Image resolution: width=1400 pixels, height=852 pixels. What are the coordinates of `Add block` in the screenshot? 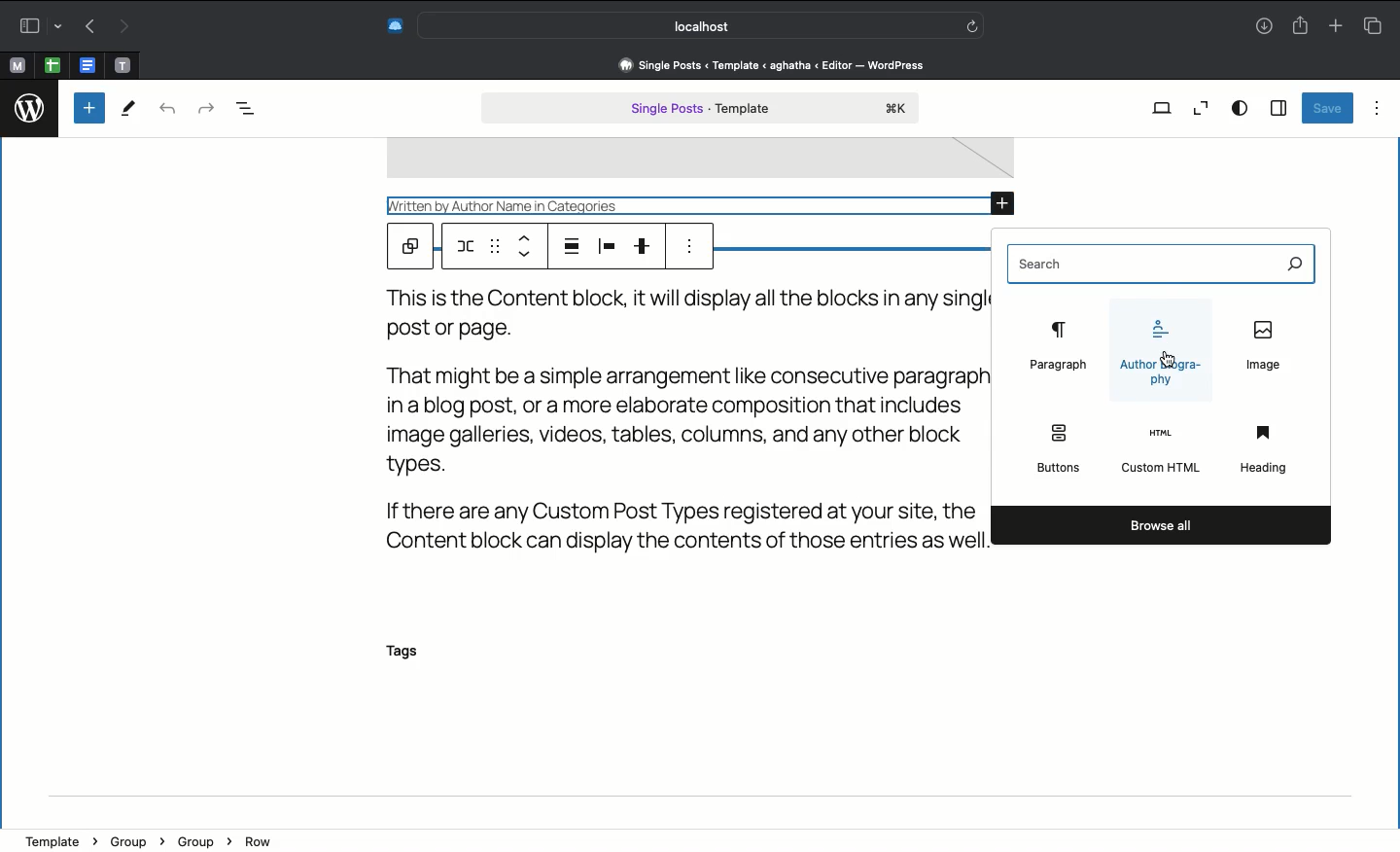 It's located at (1003, 204).